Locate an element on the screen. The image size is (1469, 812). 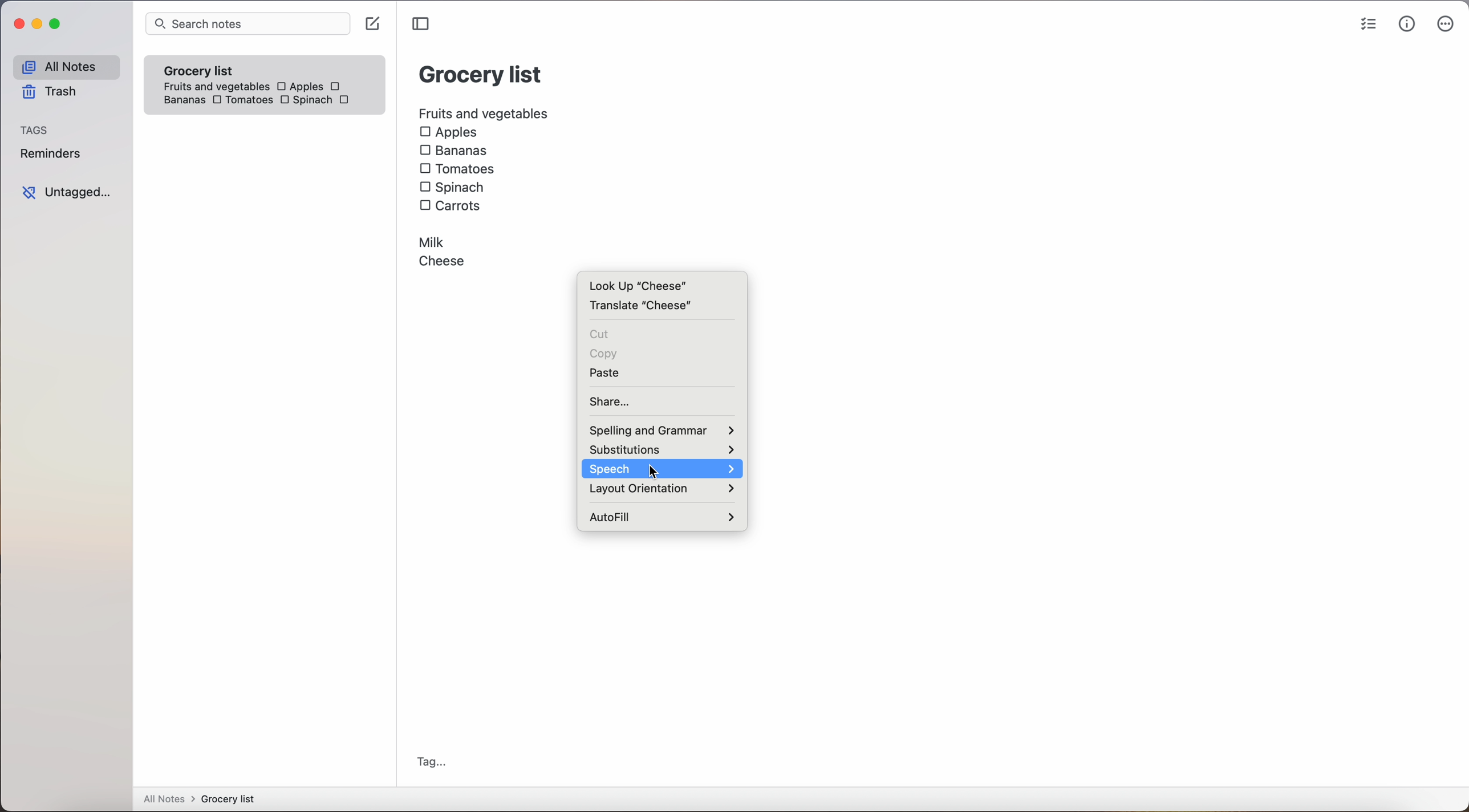
search notes is located at coordinates (248, 25).